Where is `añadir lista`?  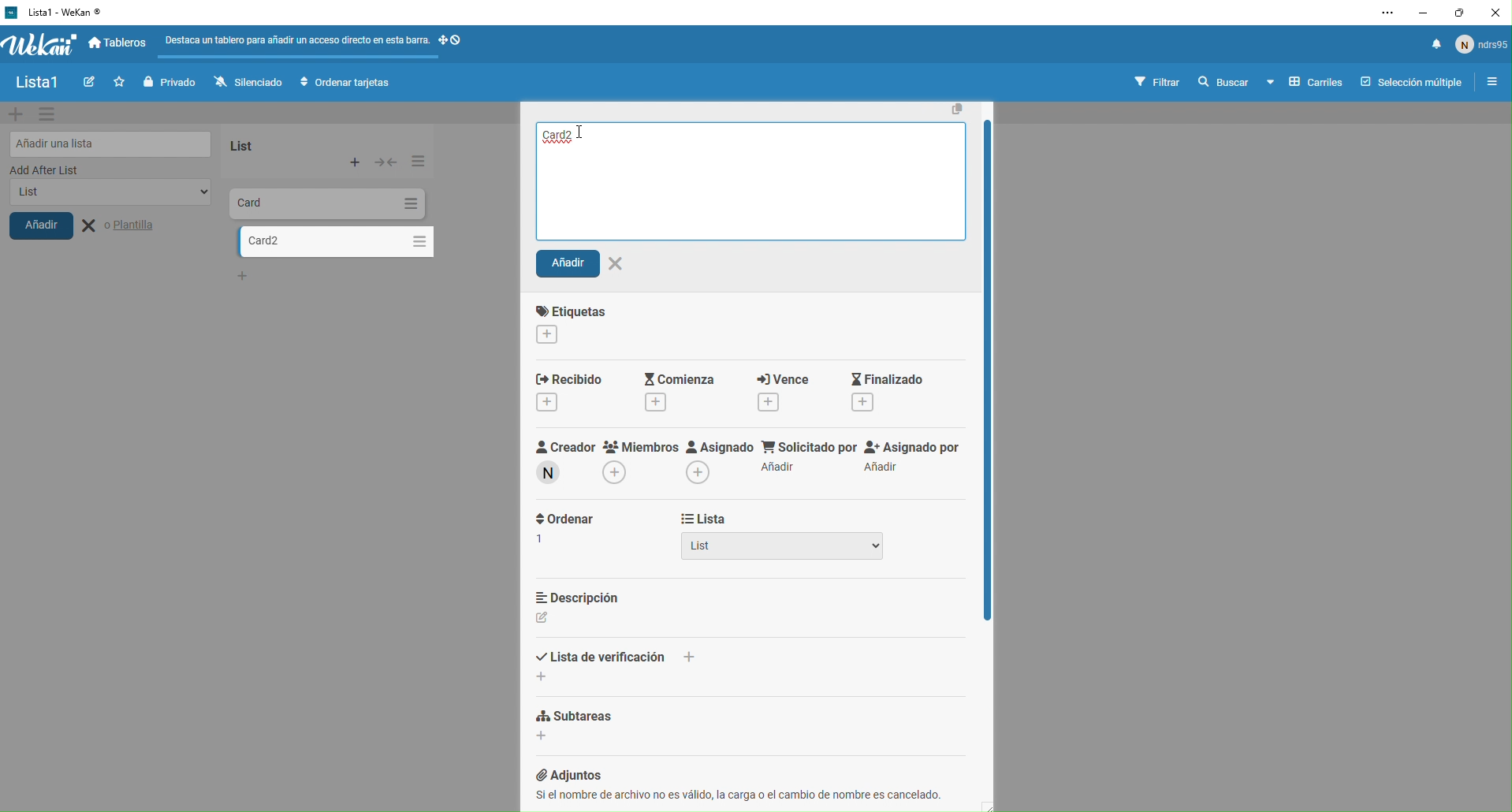
añadir lista is located at coordinates (107, 142).